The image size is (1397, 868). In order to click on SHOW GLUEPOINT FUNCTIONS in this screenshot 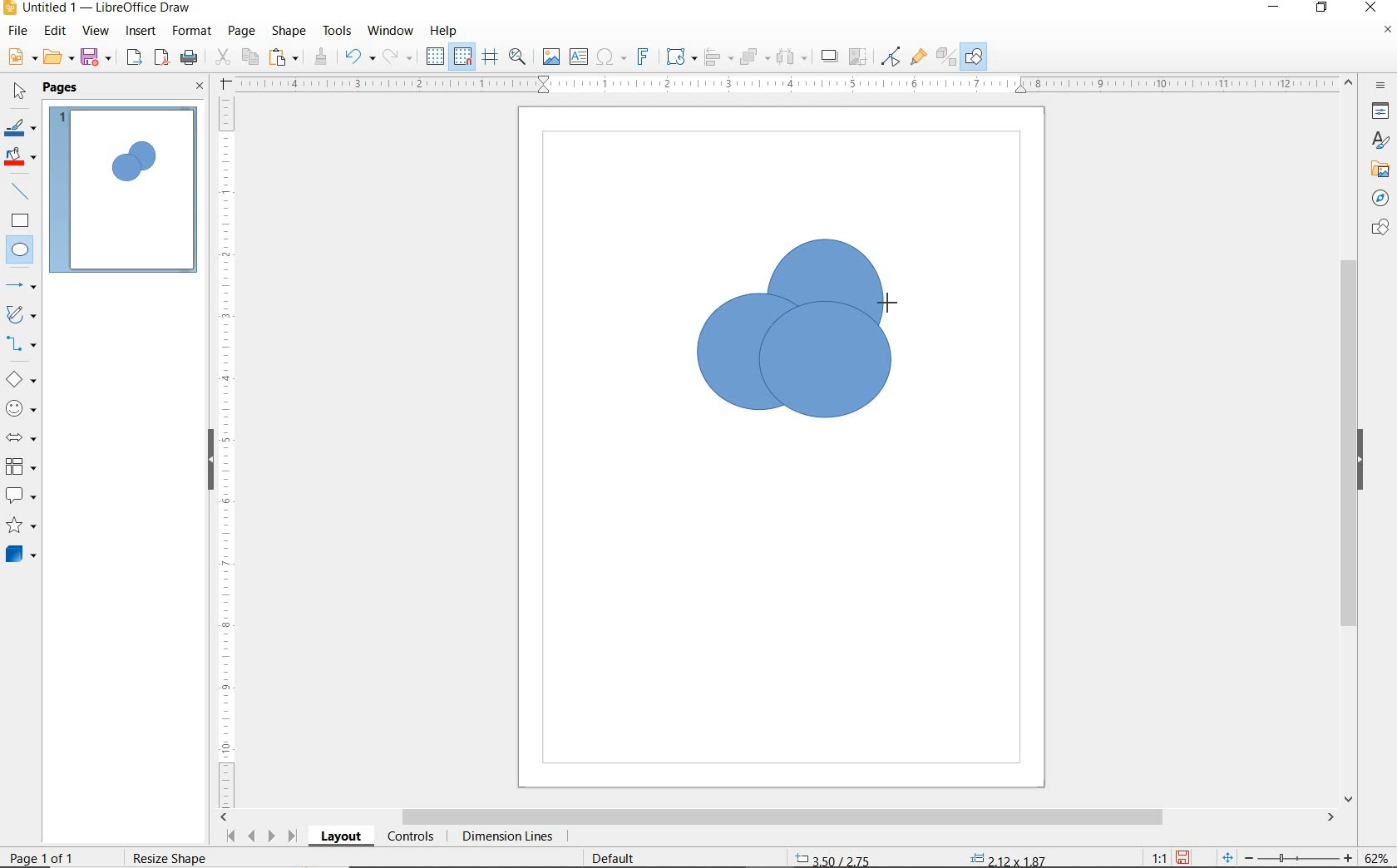, I will do `click(918, 57)`.